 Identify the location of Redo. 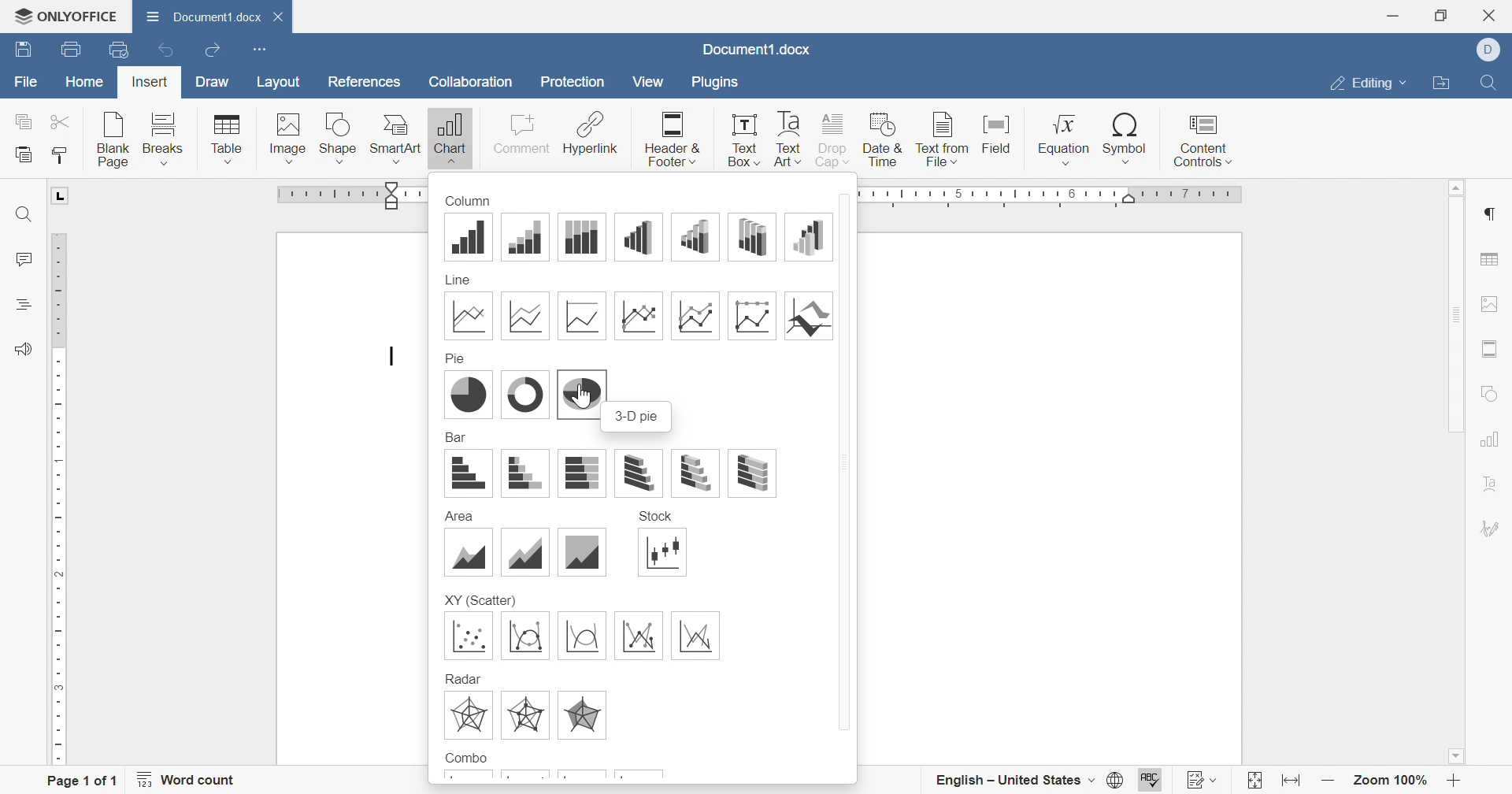
(213, 52).